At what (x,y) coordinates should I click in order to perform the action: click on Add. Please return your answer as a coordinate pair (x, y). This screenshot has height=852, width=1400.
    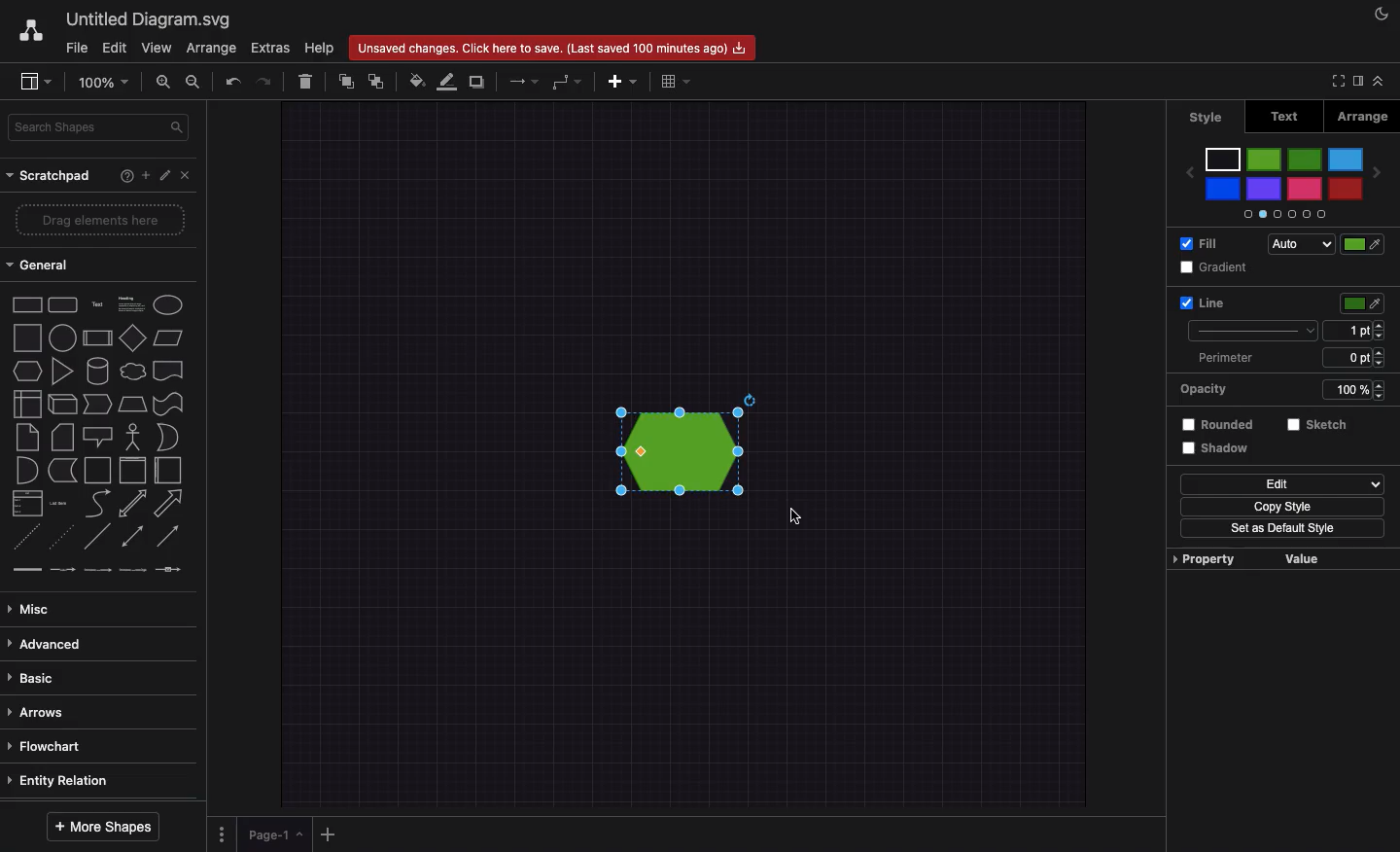
    Looking at the image, I should click on (625, 82).